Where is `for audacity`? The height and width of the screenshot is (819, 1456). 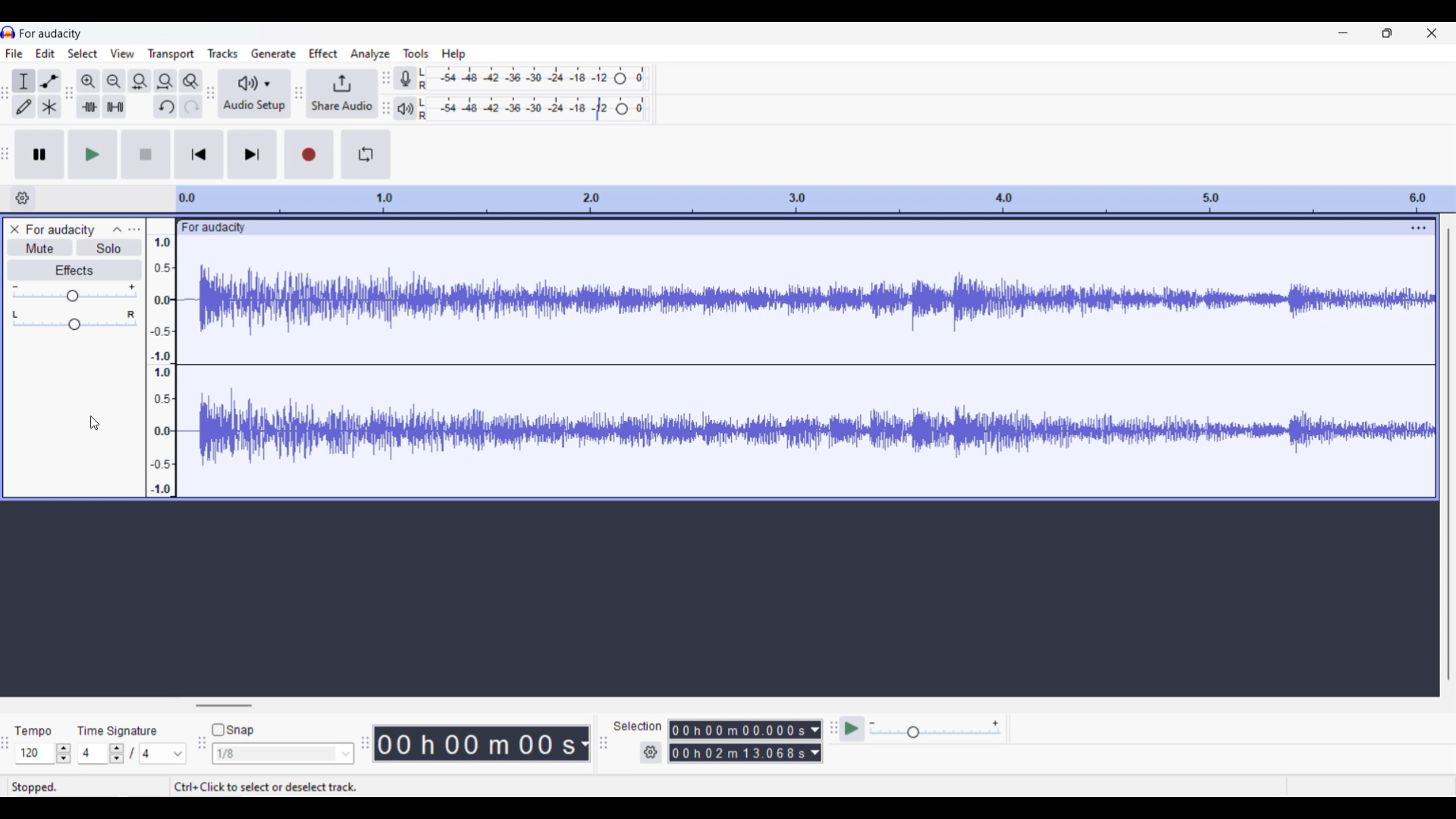
for audacity is located at coordinates (217, 227).